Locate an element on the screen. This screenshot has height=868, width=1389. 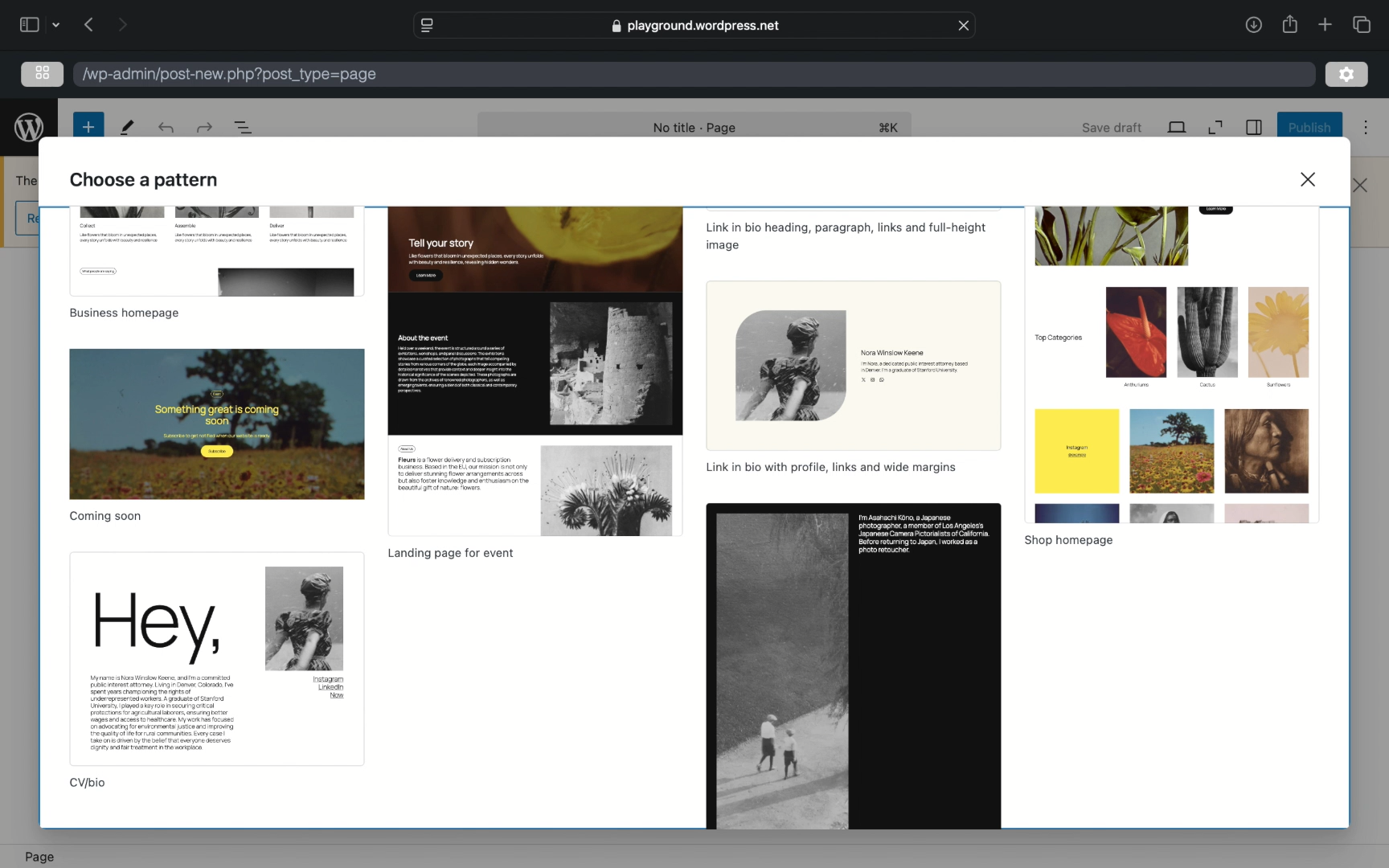
wordpress address is located at coordinates (229, 76).